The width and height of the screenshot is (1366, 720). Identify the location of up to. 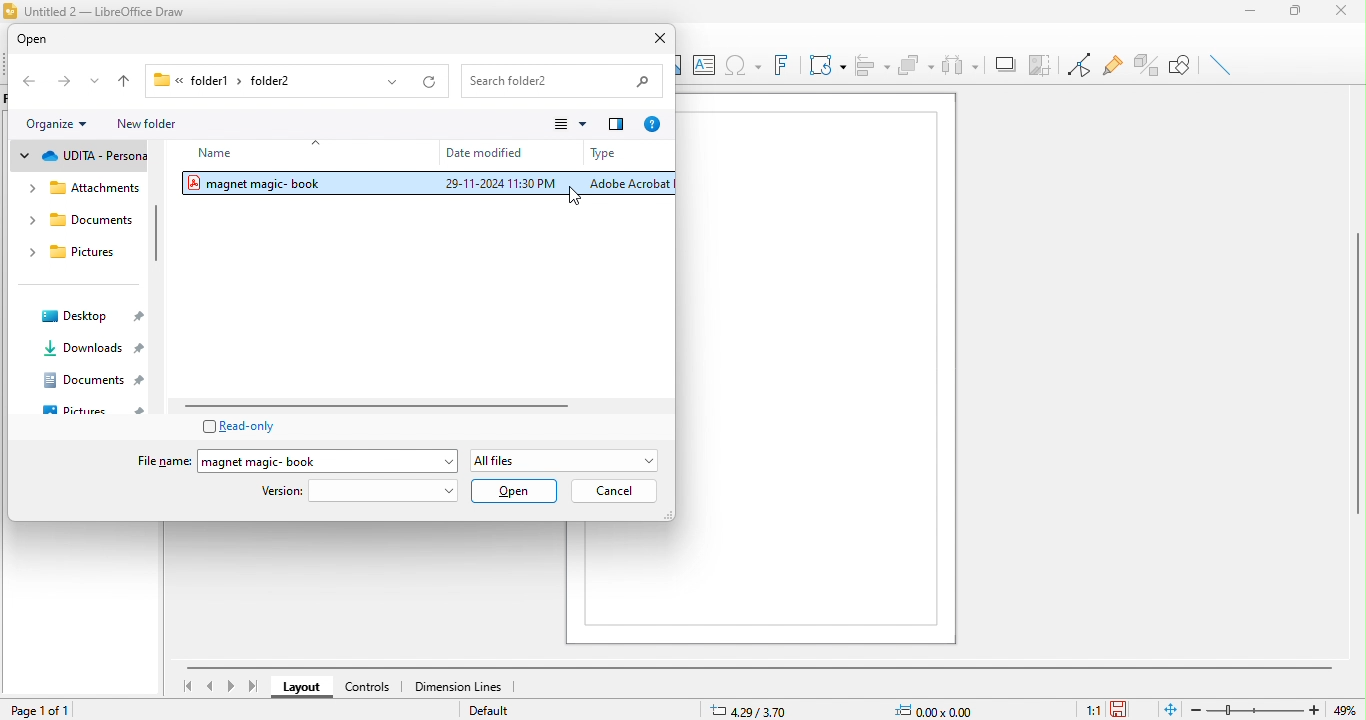
(130, 81).